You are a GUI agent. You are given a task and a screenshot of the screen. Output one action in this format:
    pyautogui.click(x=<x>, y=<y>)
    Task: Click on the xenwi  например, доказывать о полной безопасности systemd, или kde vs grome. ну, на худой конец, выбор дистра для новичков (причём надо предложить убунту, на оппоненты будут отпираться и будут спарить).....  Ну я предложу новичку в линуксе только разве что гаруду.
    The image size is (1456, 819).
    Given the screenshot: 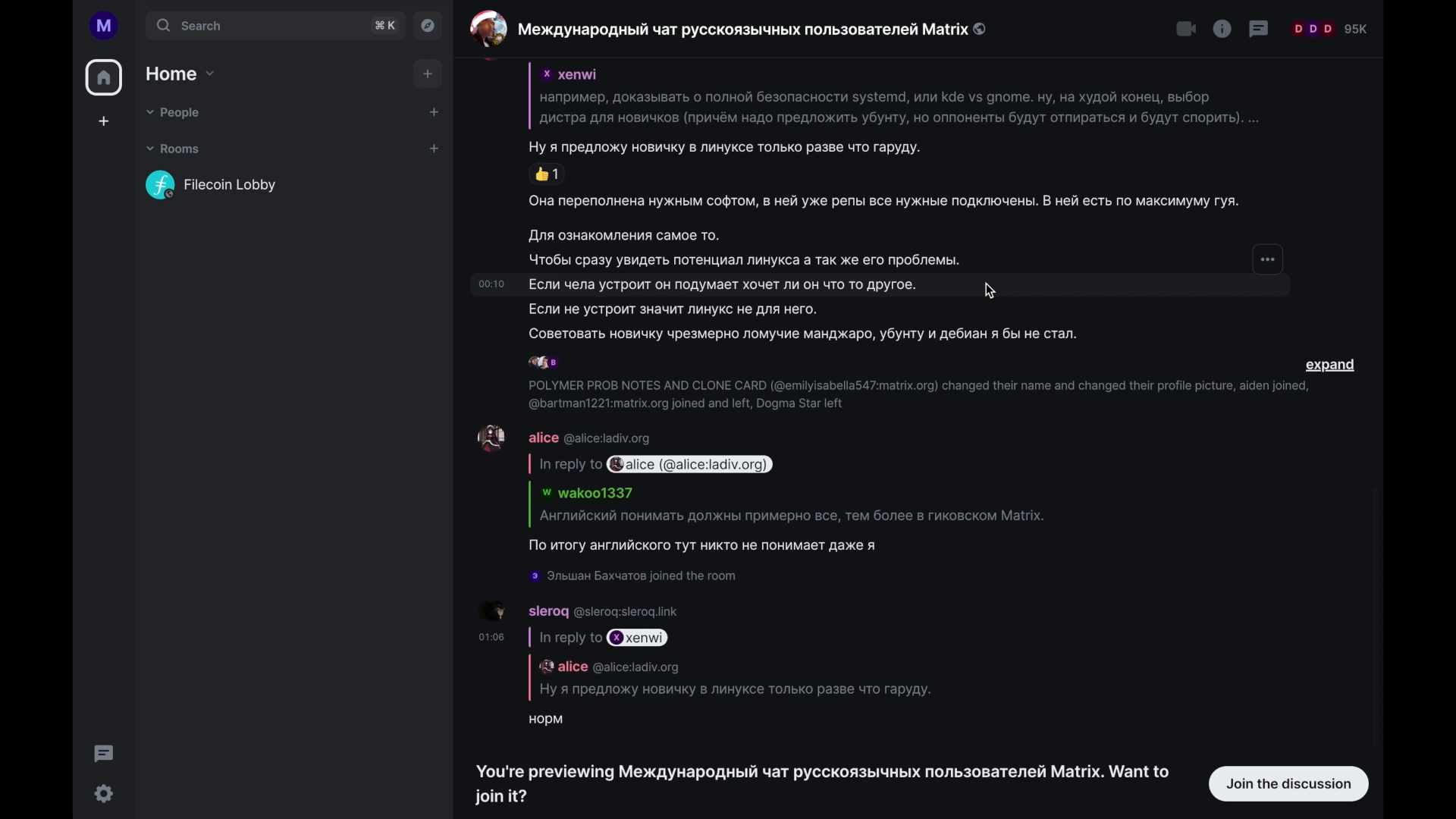 What is the action you would take?
    pyautogui.click(x=892, y=108)
    